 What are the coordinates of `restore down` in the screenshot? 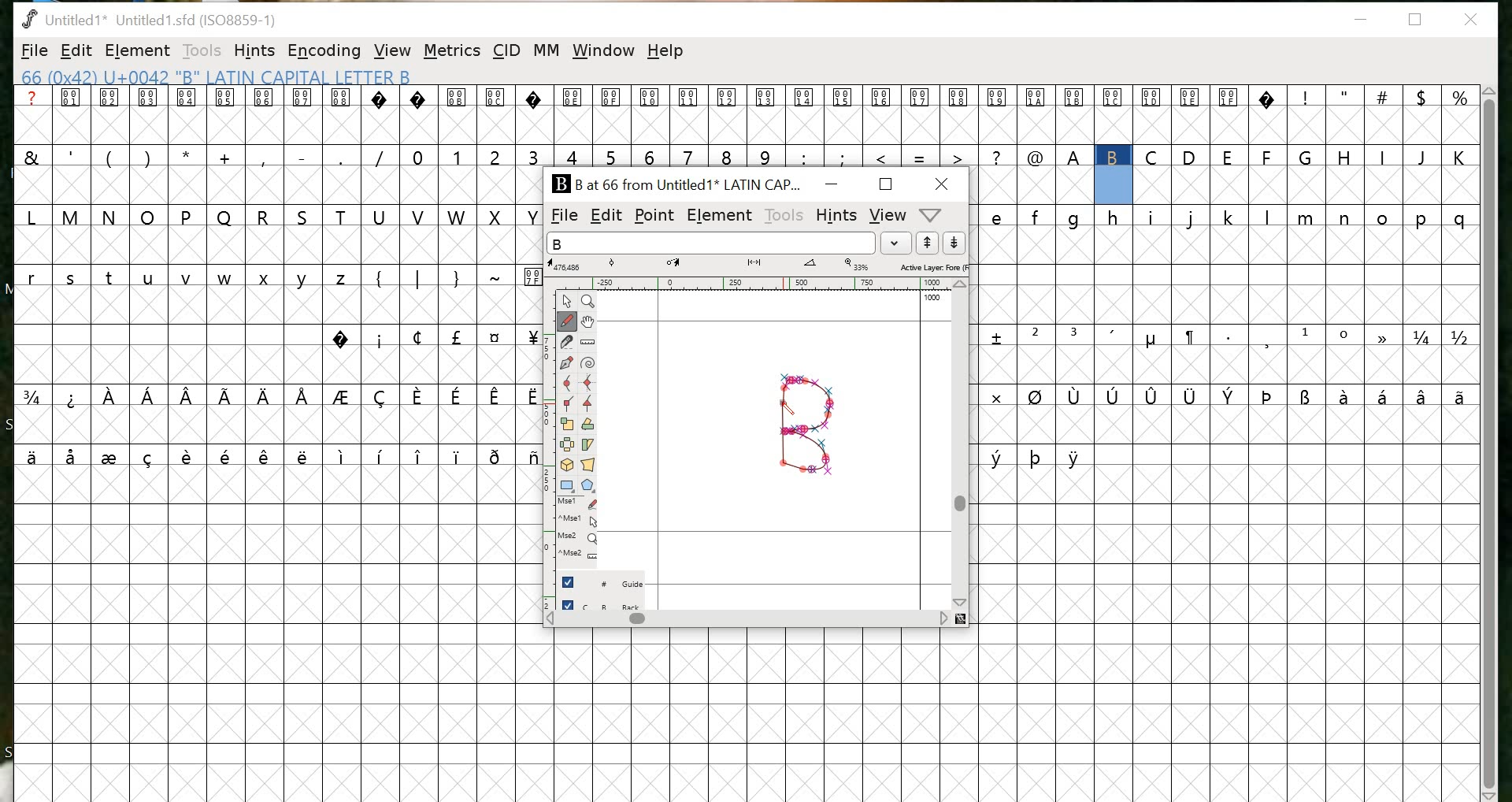 It's located at (1416, 20).